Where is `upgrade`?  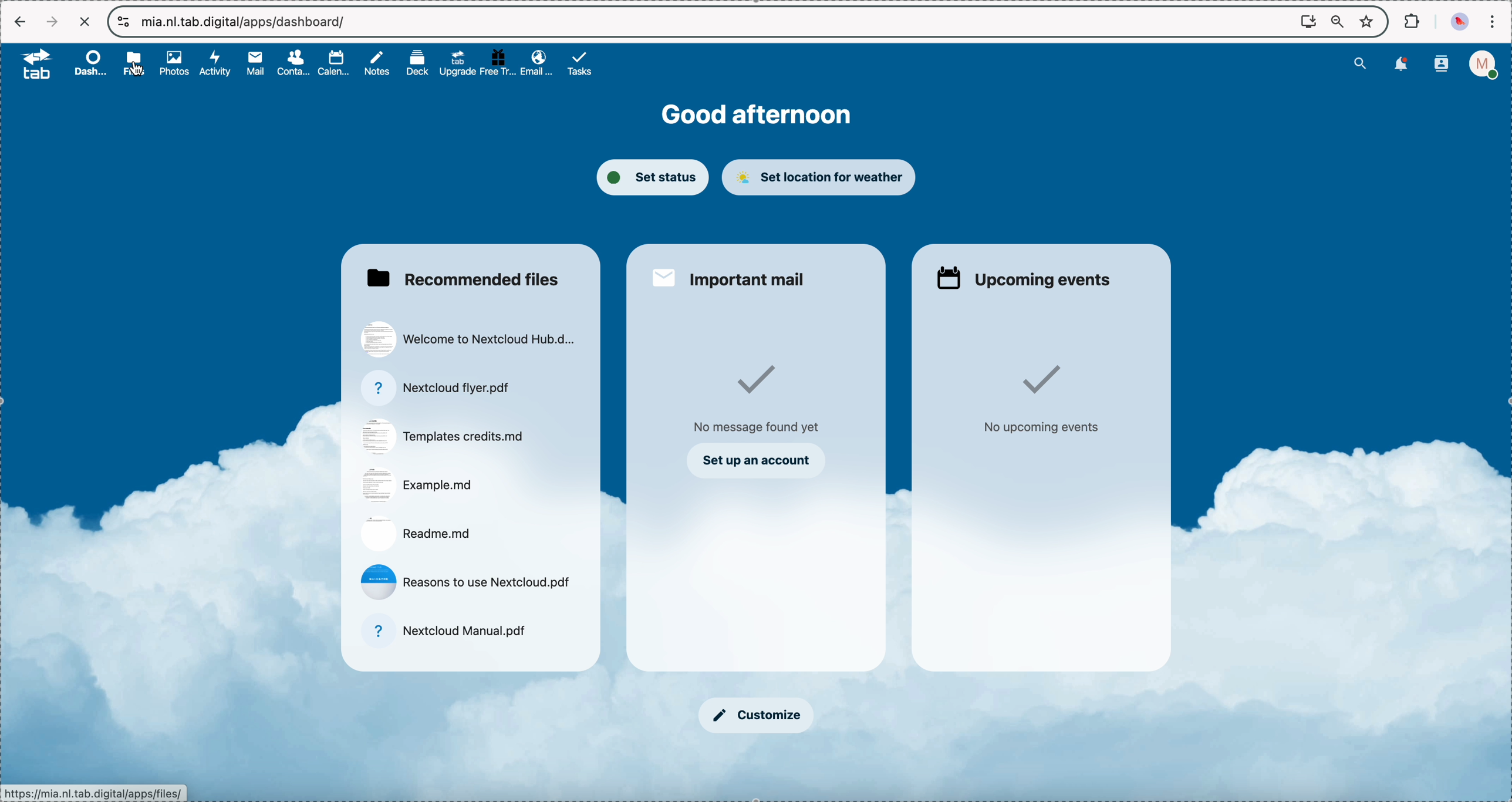
upgrade is located at coordinates (458, 63).